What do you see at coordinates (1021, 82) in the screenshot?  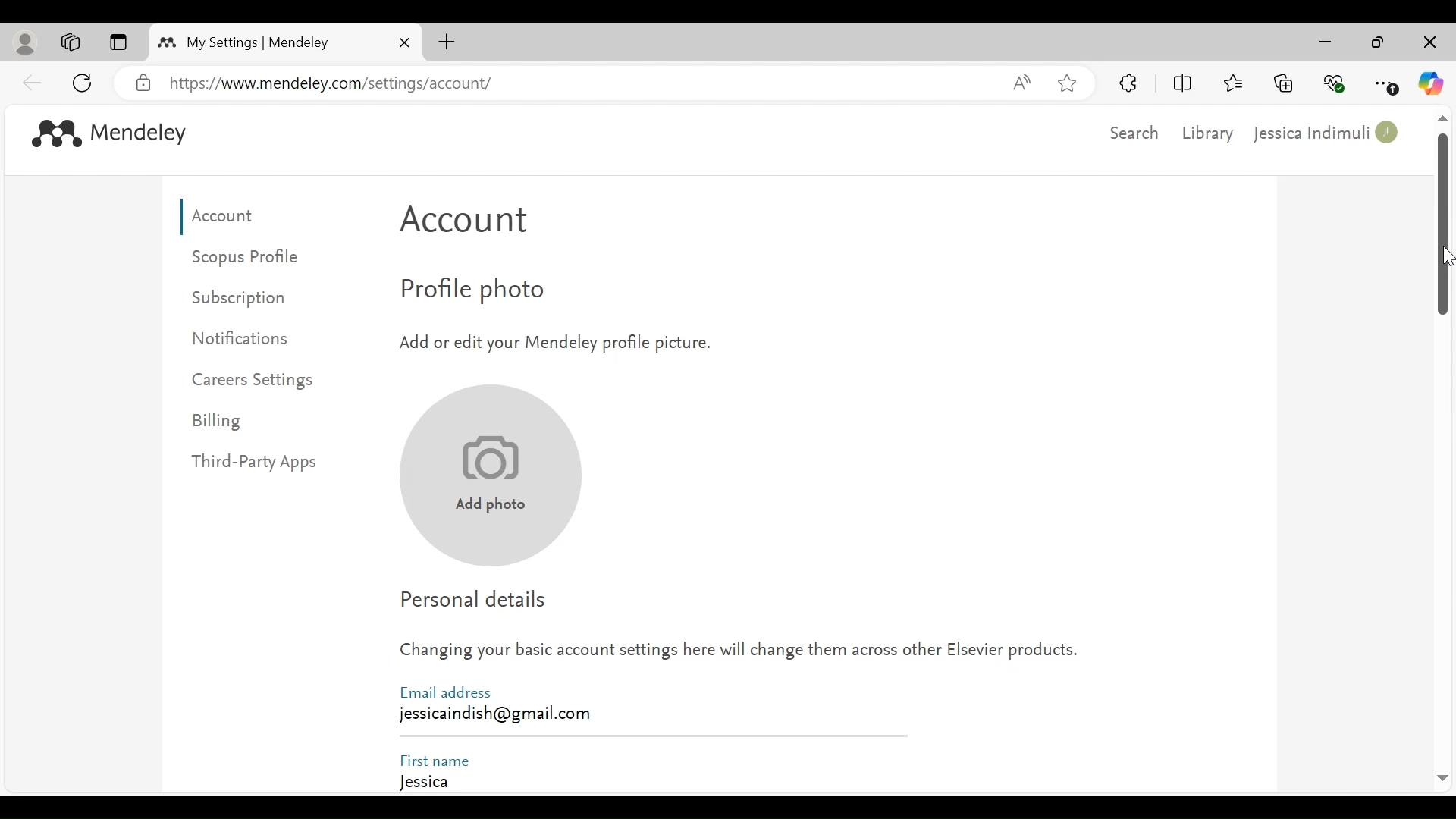 I see `Read aloud this page` at bounding box center [1021, 82].